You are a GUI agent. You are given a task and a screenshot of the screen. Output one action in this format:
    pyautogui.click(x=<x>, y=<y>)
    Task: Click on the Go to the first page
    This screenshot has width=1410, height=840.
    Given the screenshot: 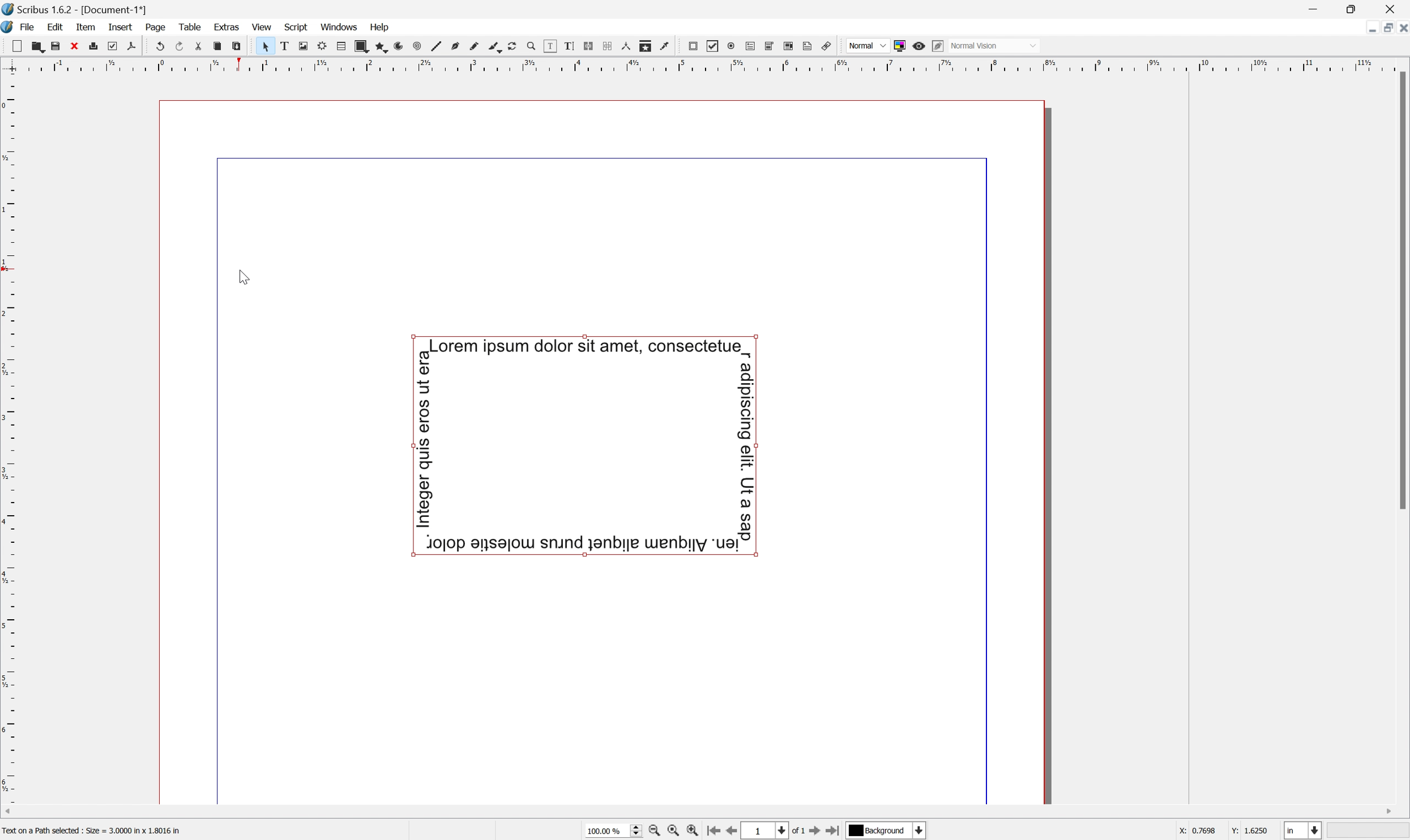 What is the action you would take?
    pyautogui.click(x=715, y=832)
    